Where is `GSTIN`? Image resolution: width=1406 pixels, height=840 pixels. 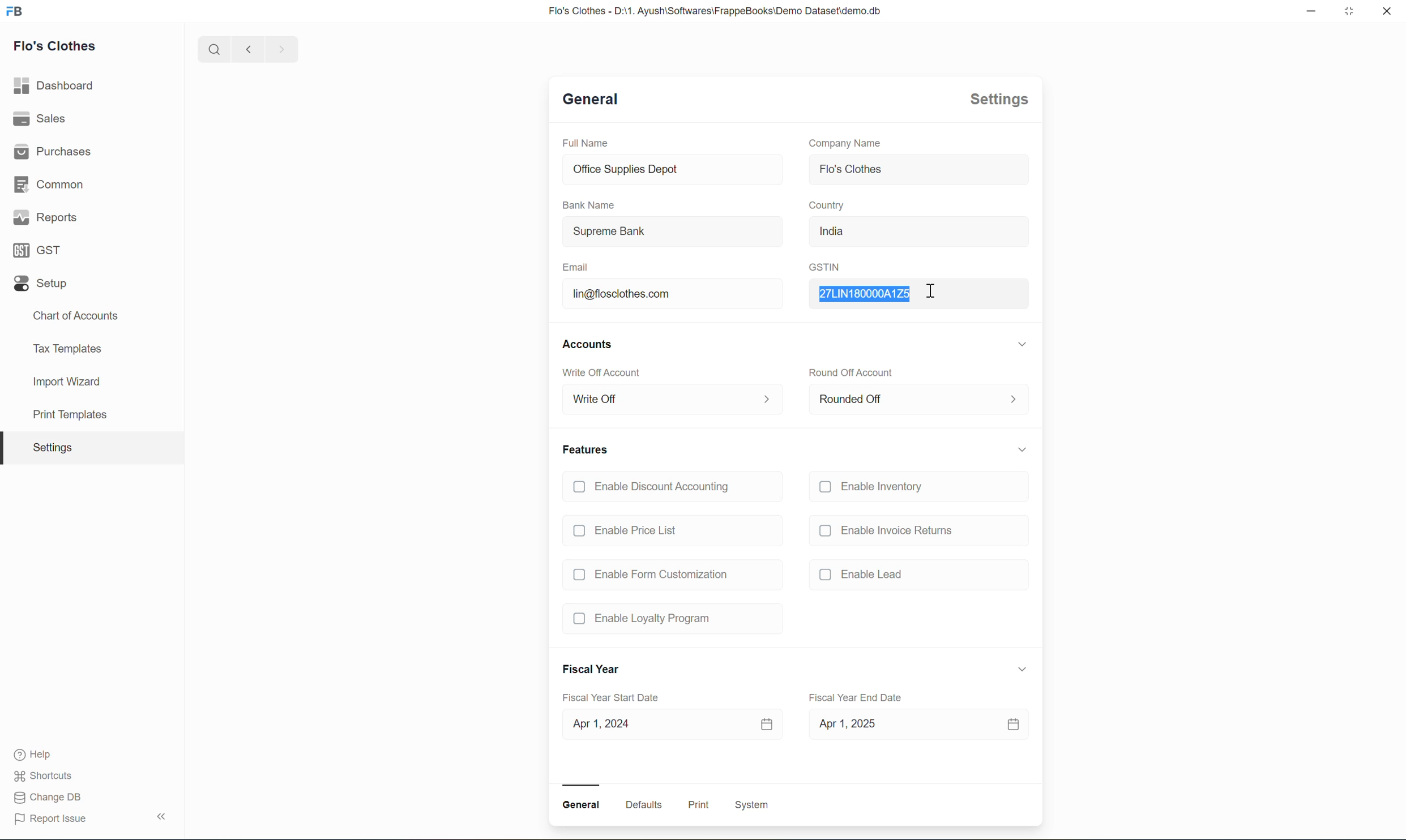
GSTIN is located at coordinates (824, 267).